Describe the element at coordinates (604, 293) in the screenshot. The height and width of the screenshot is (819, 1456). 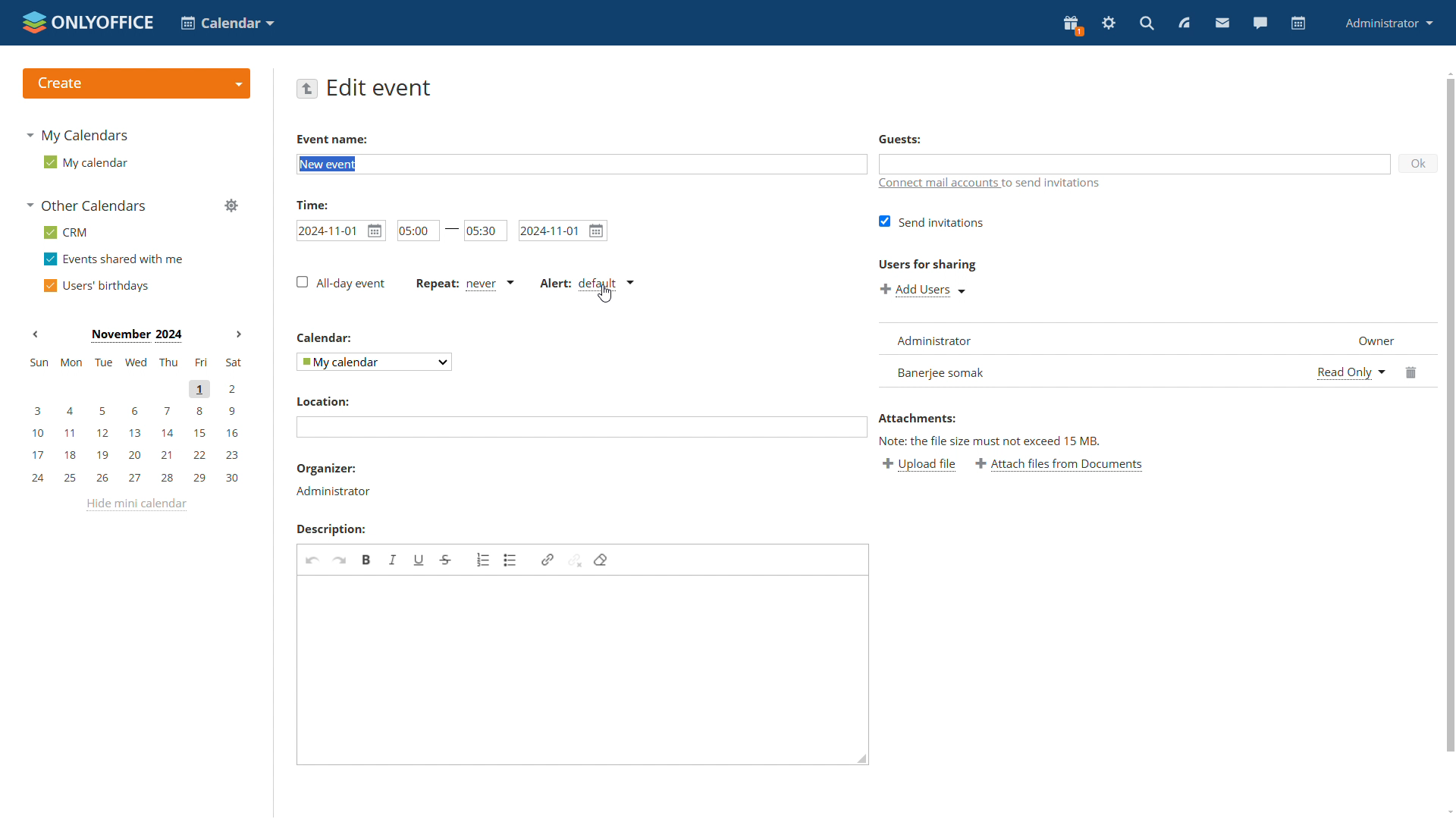
I see `Cursor` at that location.